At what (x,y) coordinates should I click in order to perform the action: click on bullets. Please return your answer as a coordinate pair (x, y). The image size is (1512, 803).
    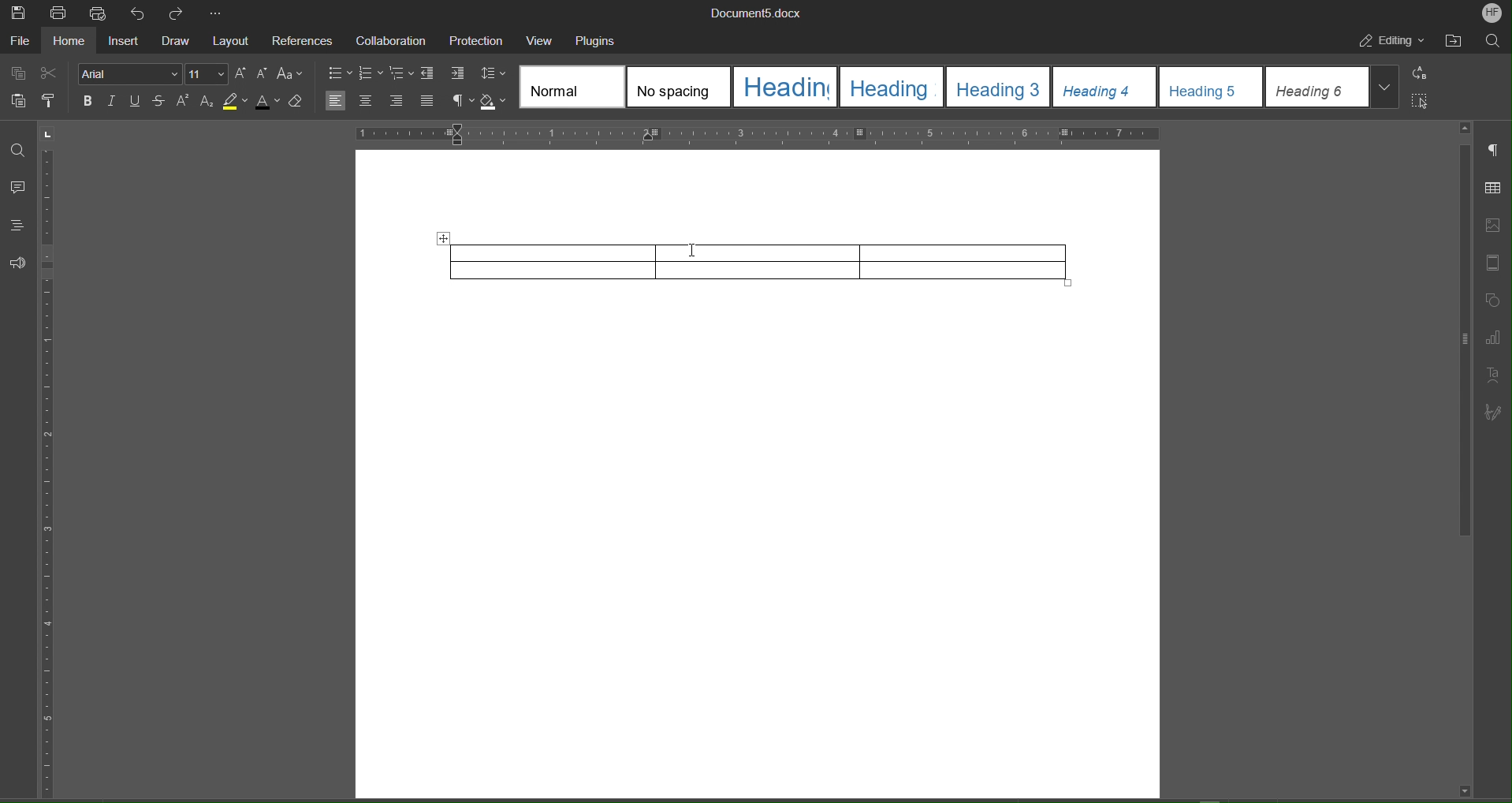
    Looking at the image, I should click on (339, 75).